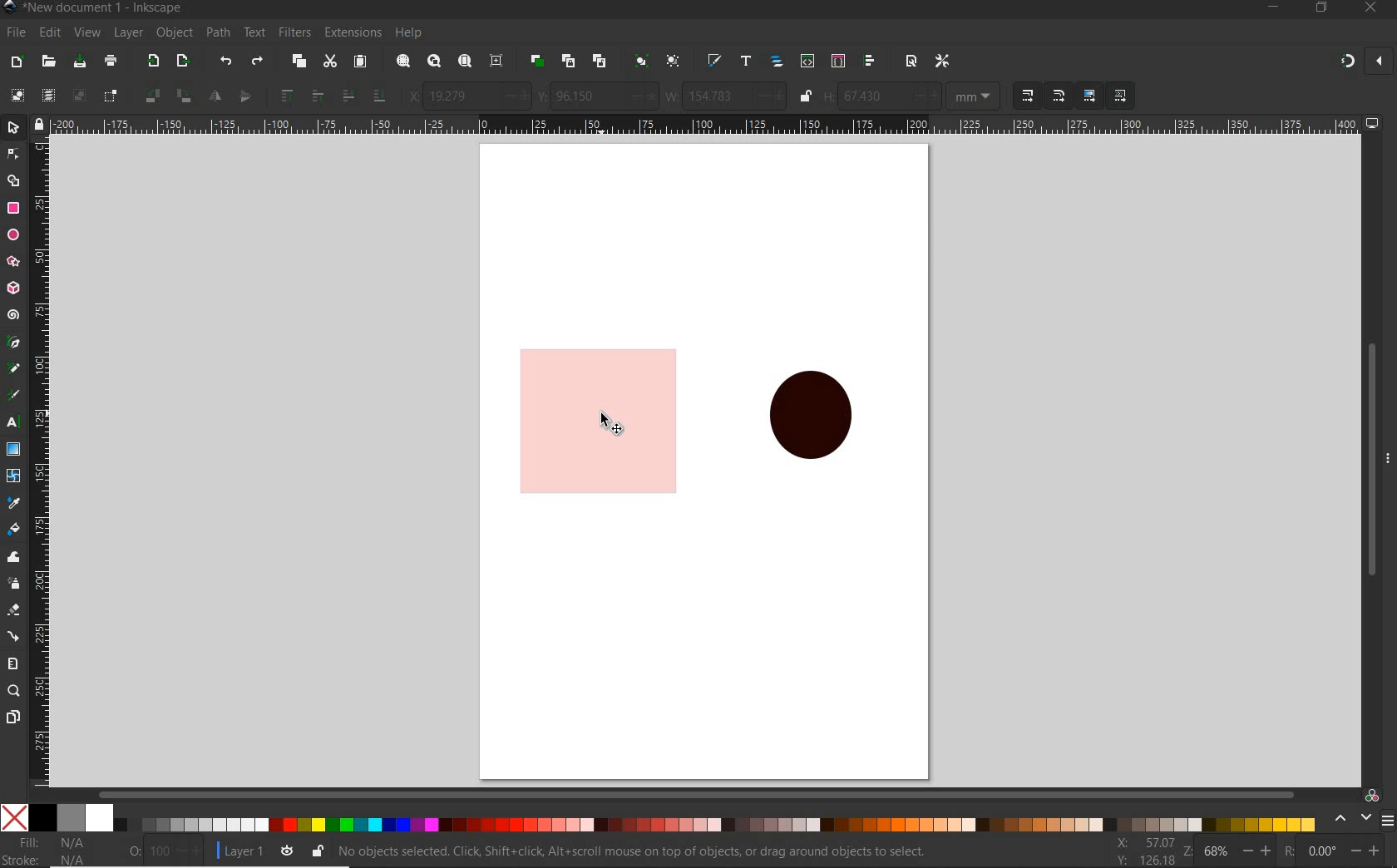 The height and width of the screenshot is (868, 1397). Describe the element at coordinates (111, 61) in the screenshot. I see `print` at that location.